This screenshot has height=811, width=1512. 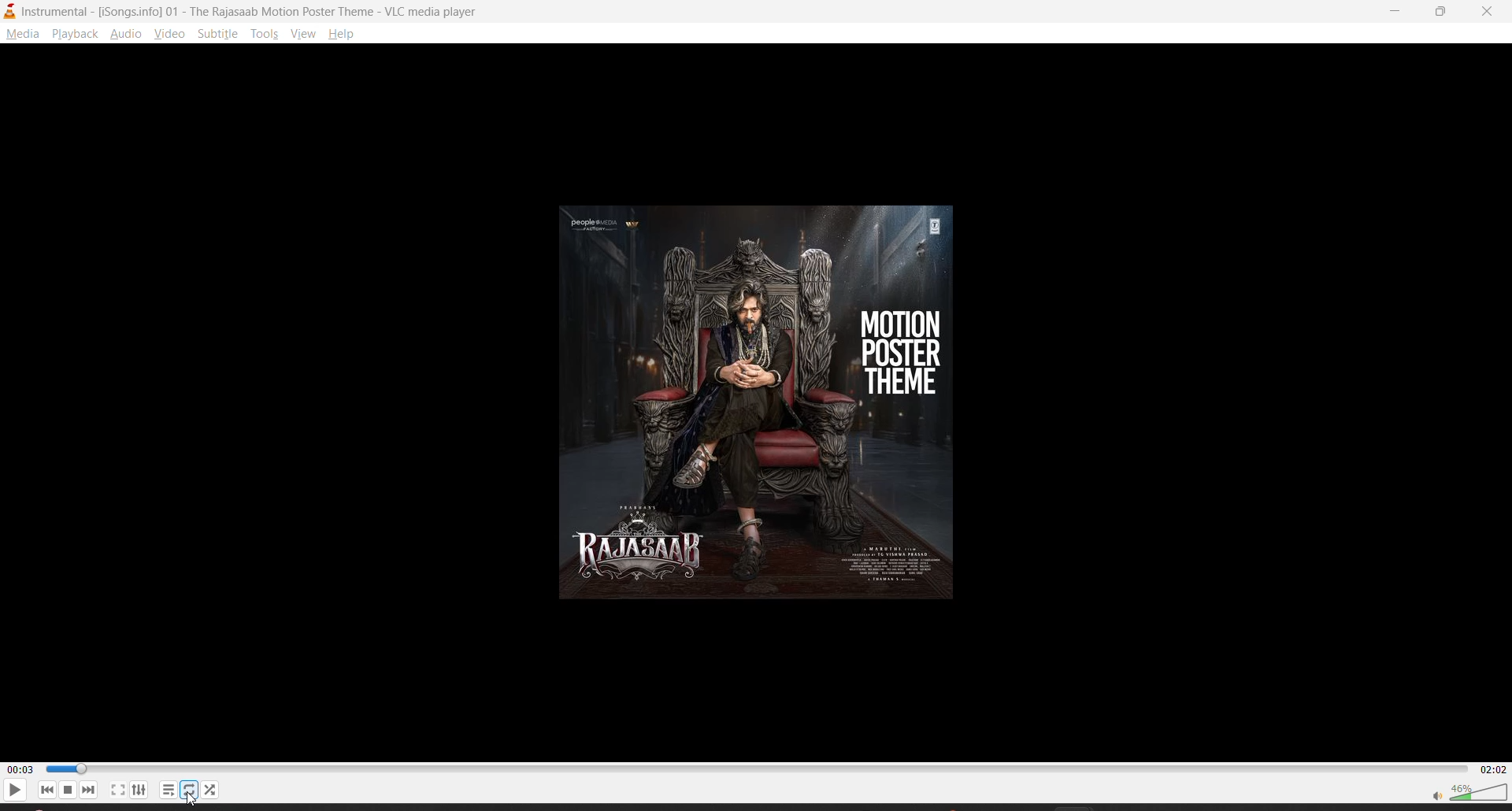 What do you see at coordinates (88, 790) in the screenshot?
I see `next` at bounding box center [88, 790].